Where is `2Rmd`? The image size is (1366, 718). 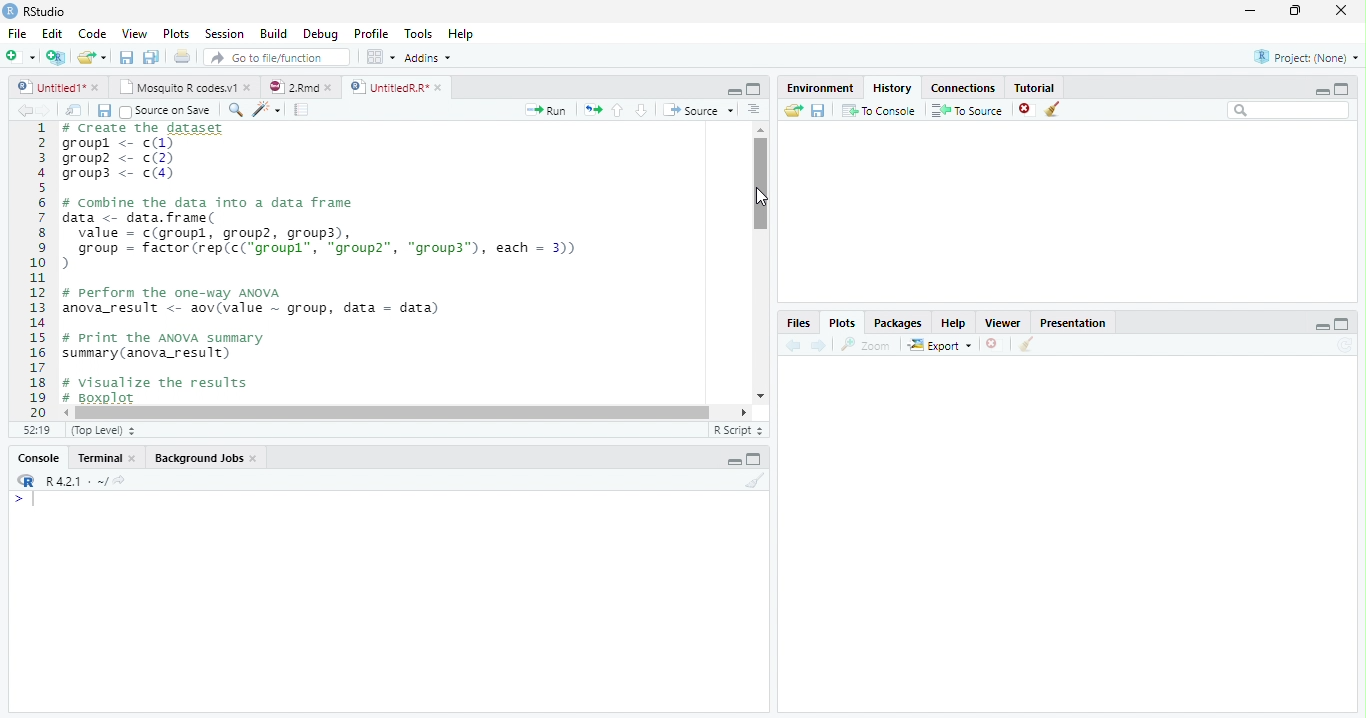 2Rmd is located at coordinates (299, 85).